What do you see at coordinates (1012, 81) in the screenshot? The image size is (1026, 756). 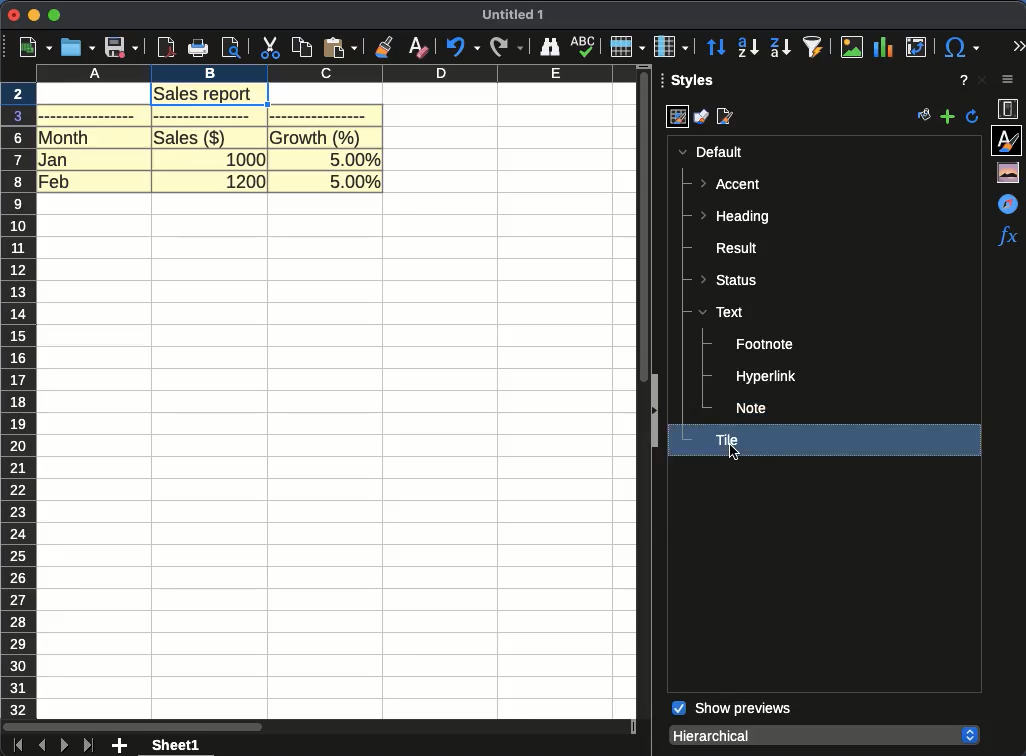 I see `sidebar` at bounding box center [1012, 81].